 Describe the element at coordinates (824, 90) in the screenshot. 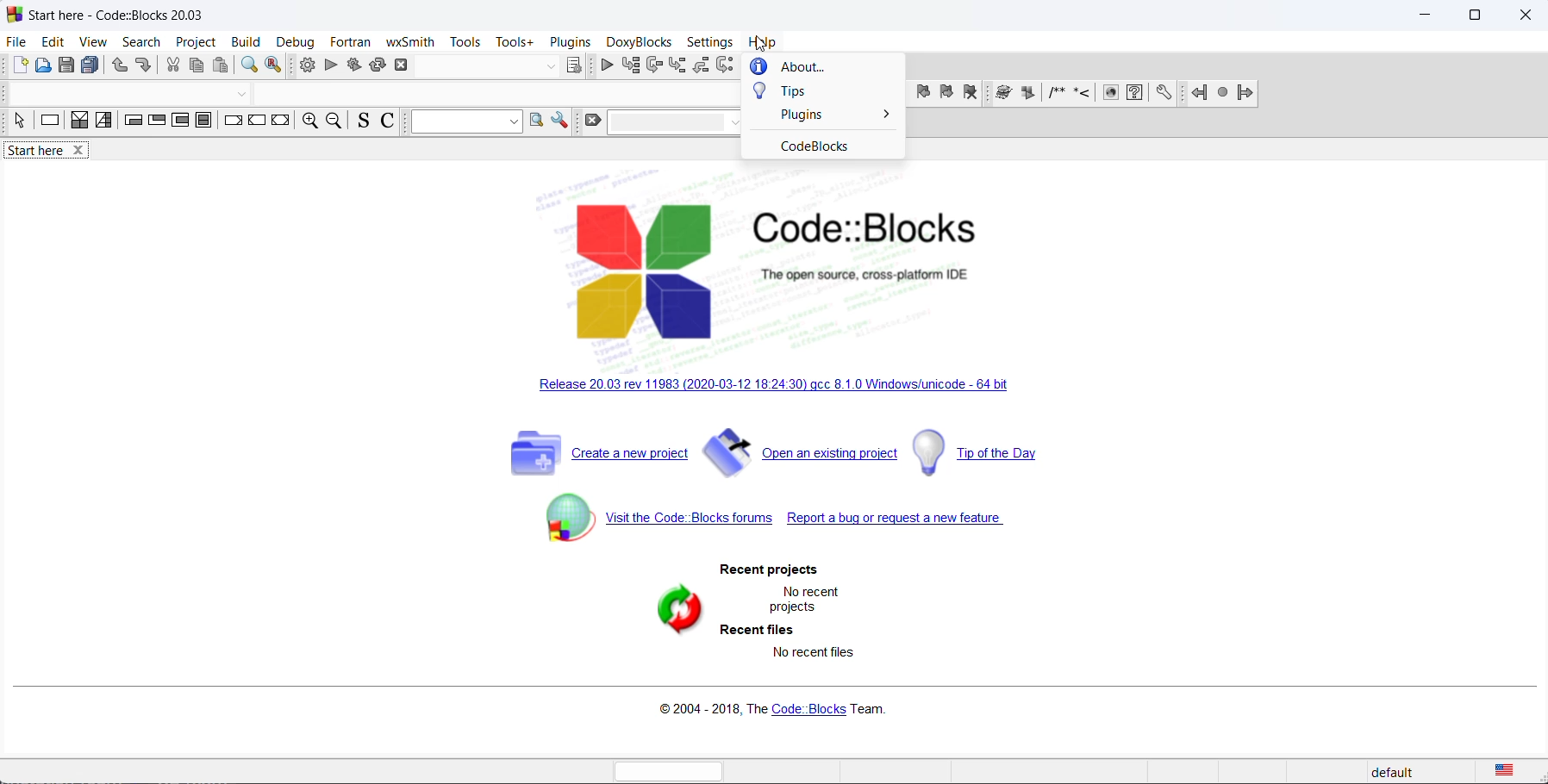

I see `tips` at that location.